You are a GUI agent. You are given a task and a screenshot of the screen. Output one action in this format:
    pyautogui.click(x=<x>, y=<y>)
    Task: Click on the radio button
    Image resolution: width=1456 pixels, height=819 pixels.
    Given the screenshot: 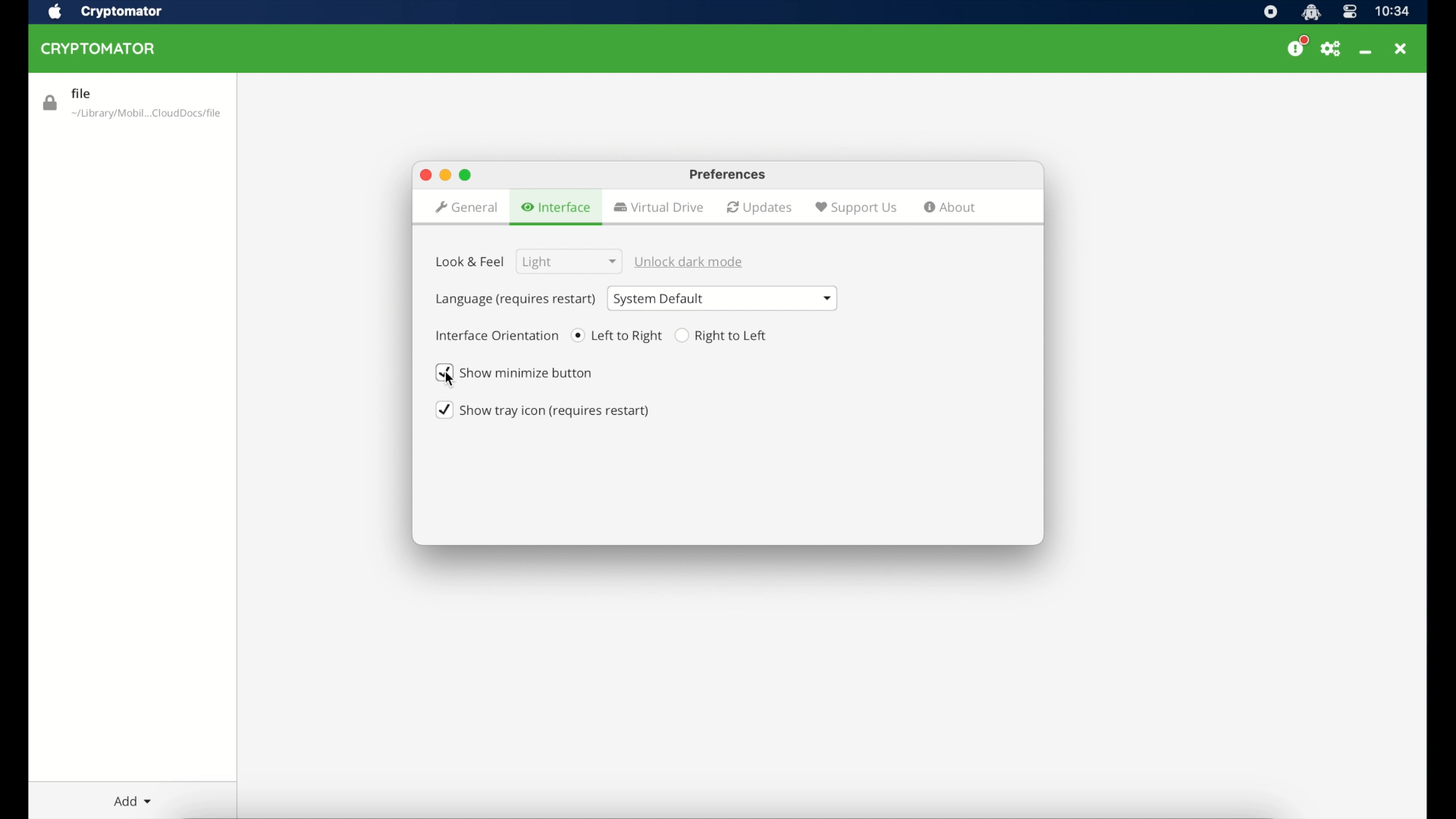 What is the action you would take?
    pyautogui.click(x=724, y=336)
    